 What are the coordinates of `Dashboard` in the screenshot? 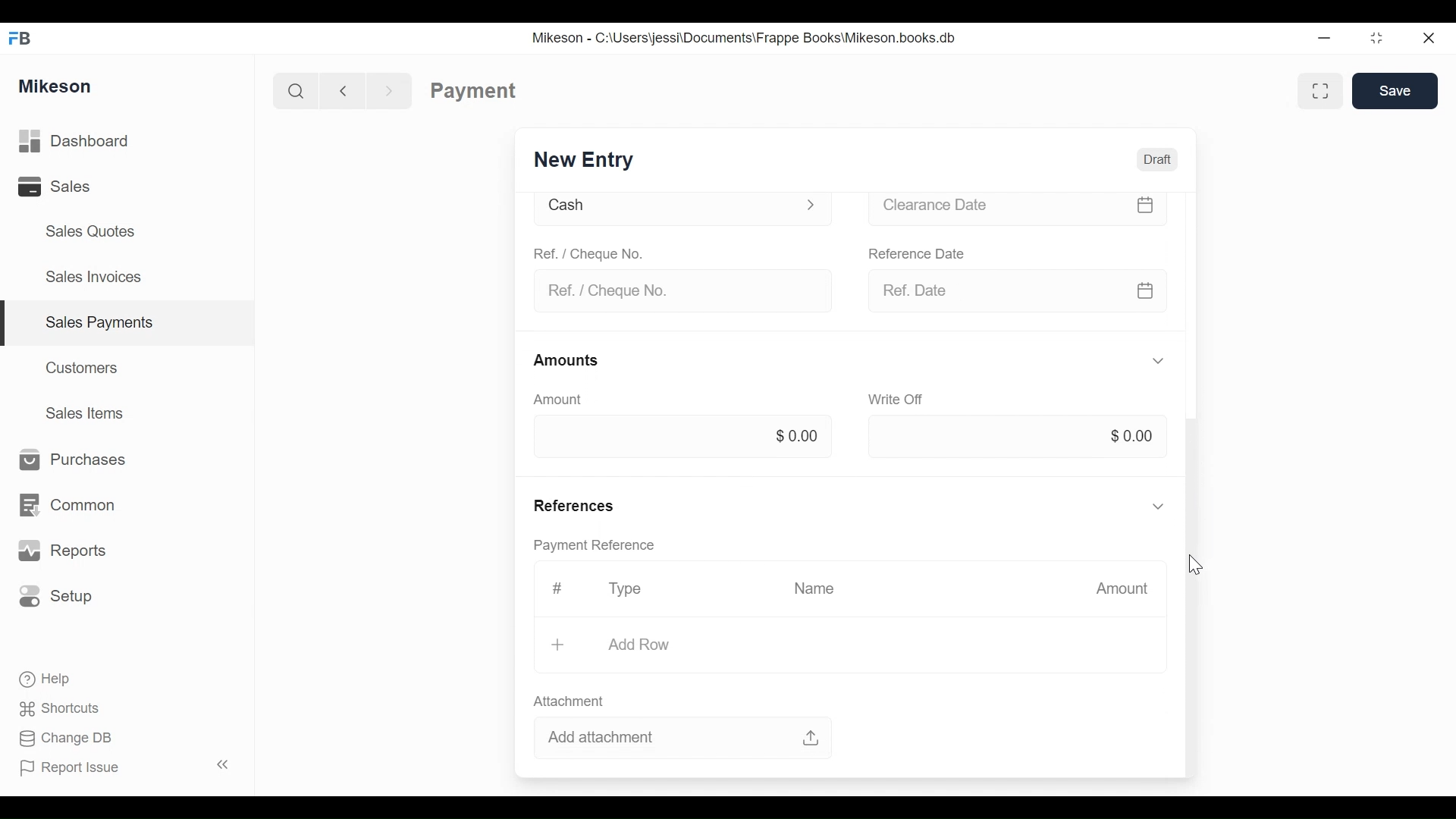 It's located at (99, 142).